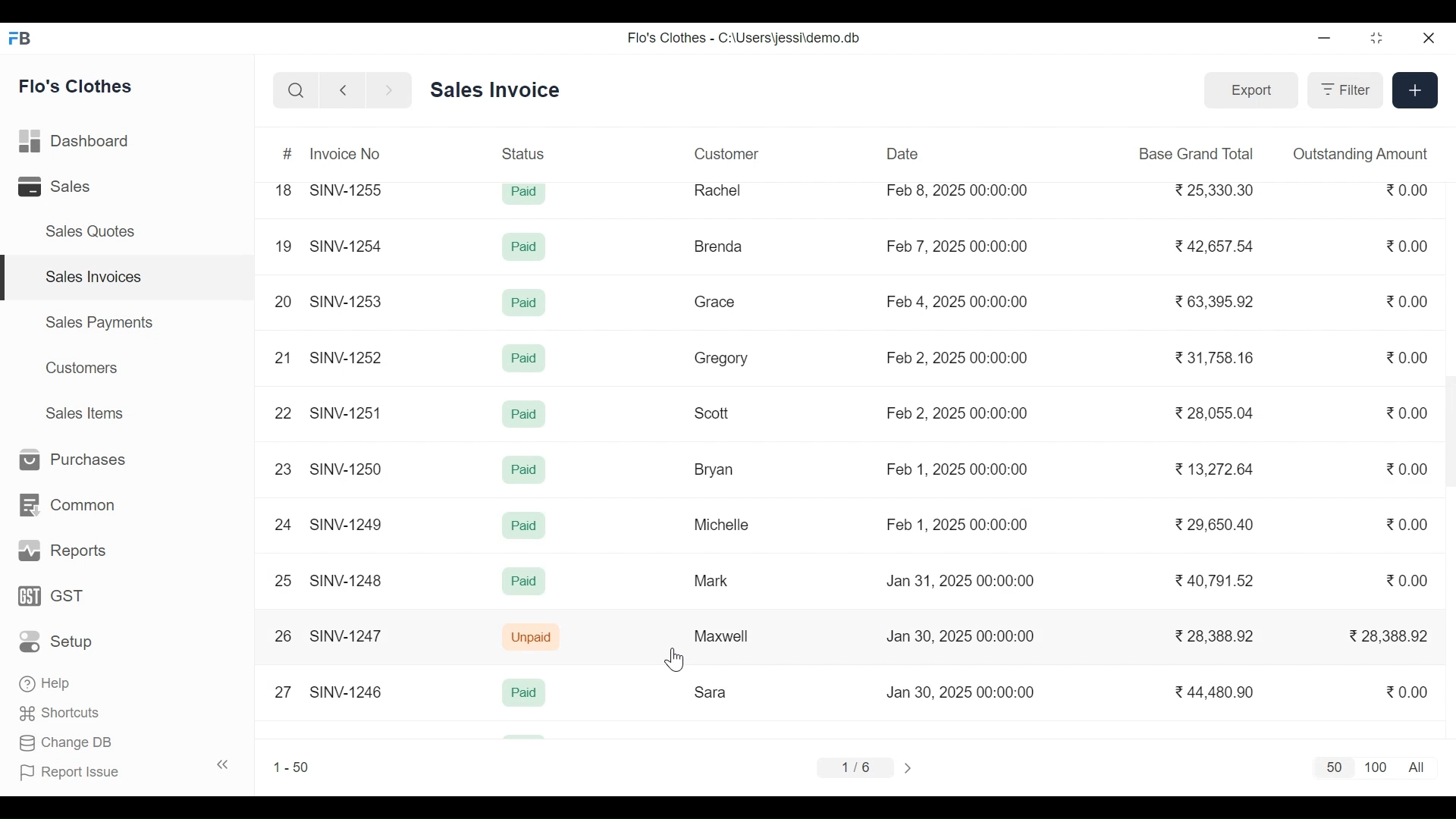  I want to click on Filter, so click(1343, 89).